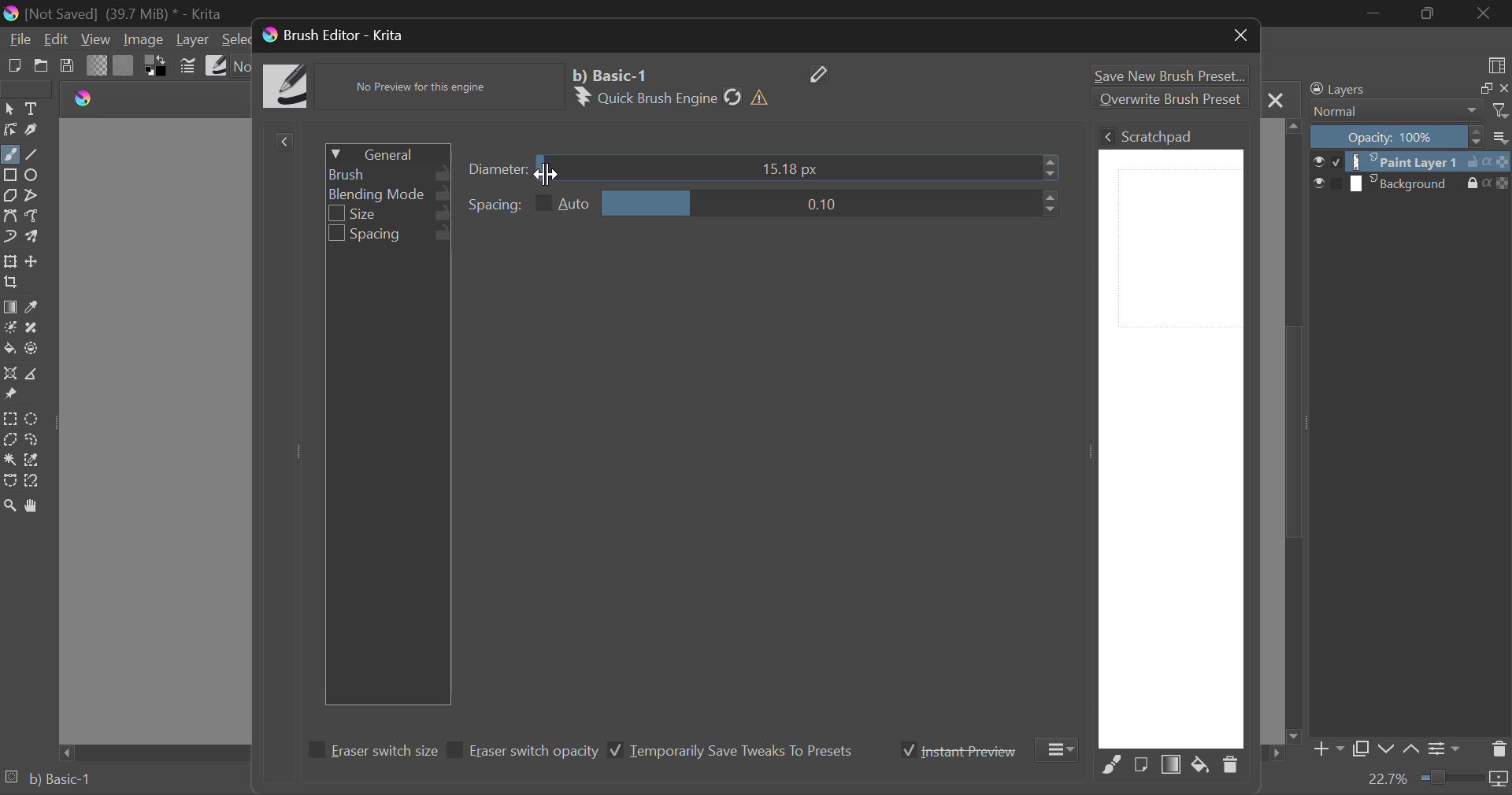 The image size is (1512, 795). I want to click on Fill Gradient, so click(11, 307).